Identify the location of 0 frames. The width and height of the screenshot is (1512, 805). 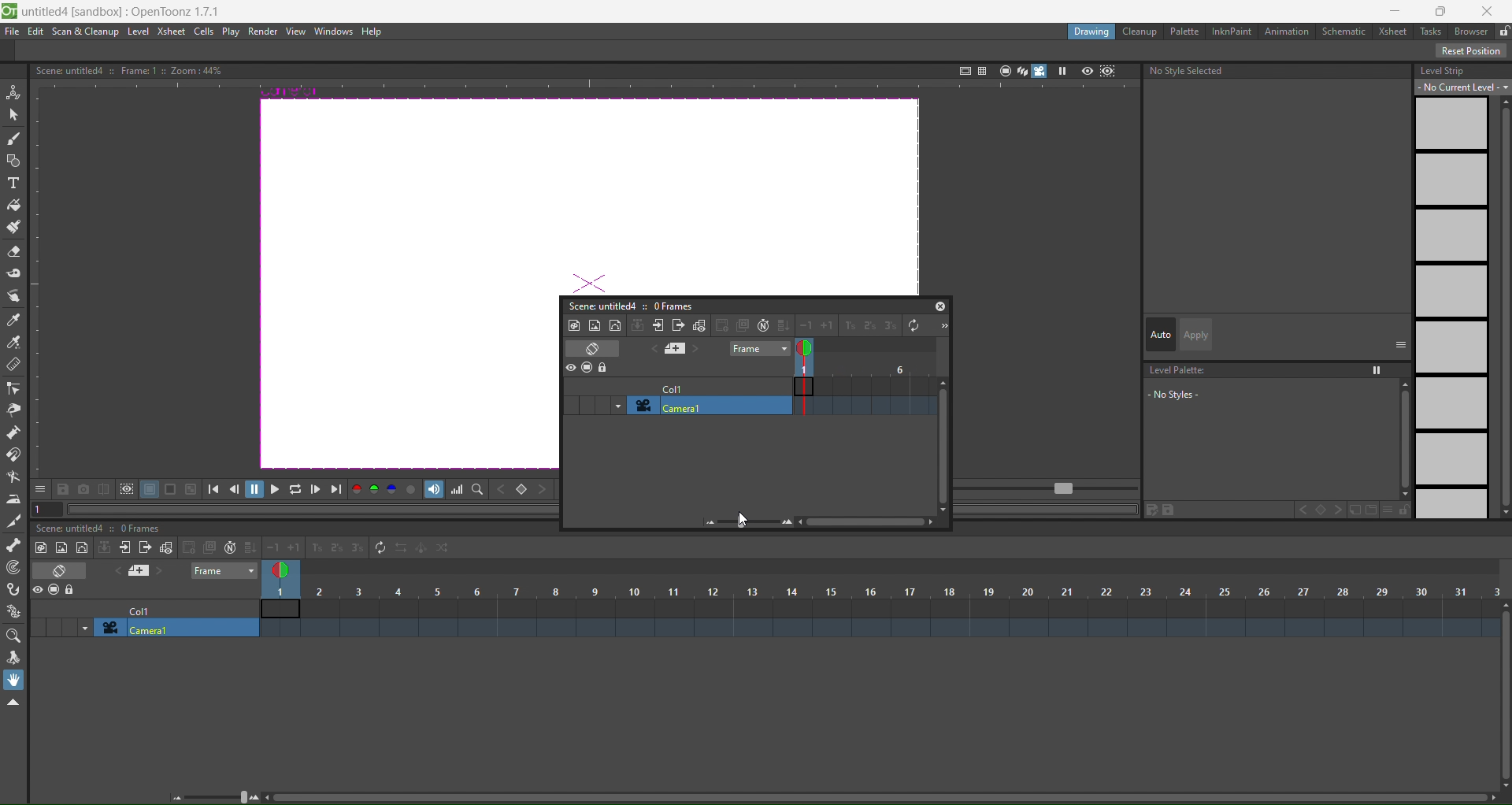
(673, 306).